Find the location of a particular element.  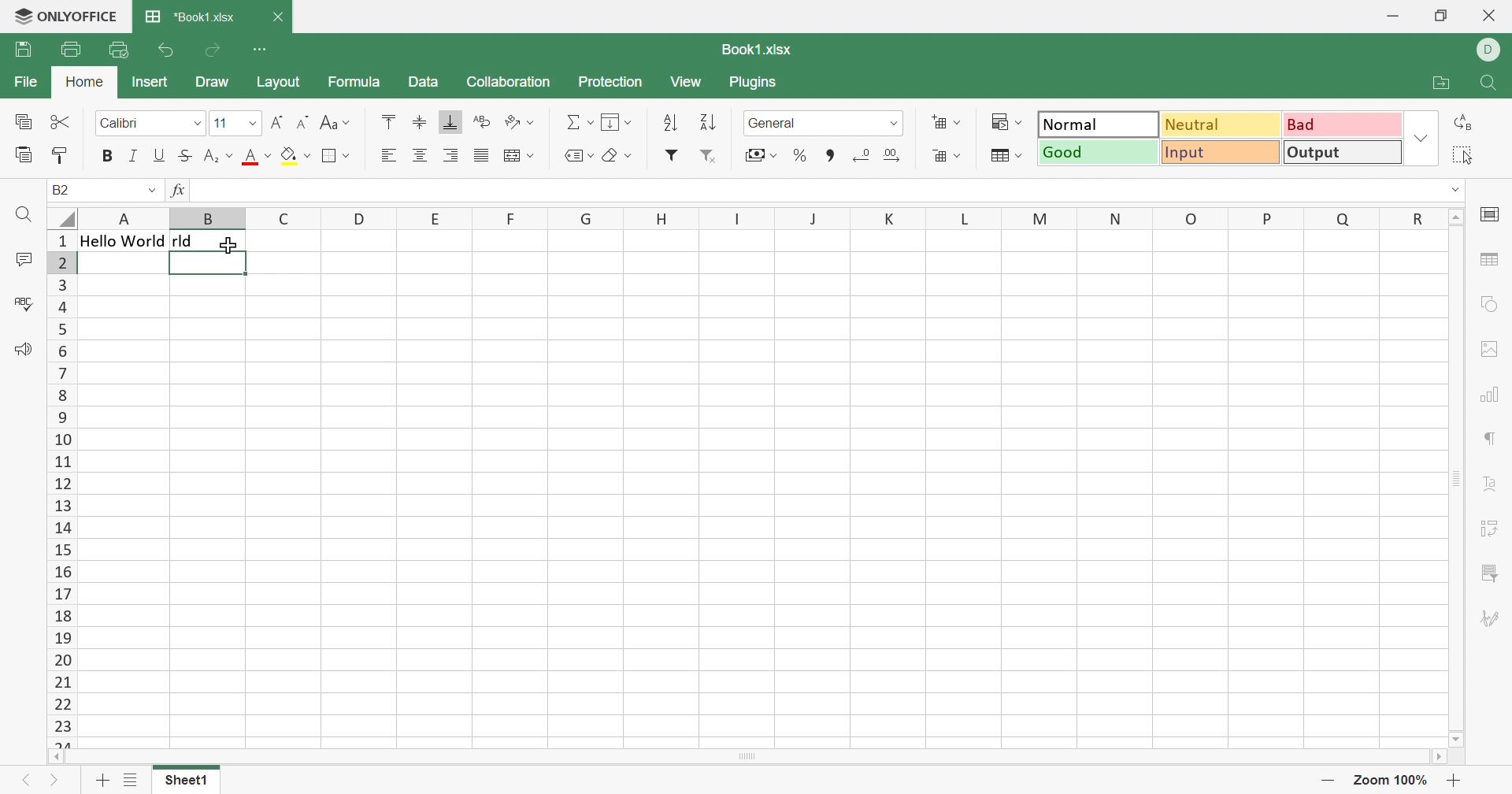

Row numbers is located at coordinates (61, 487).